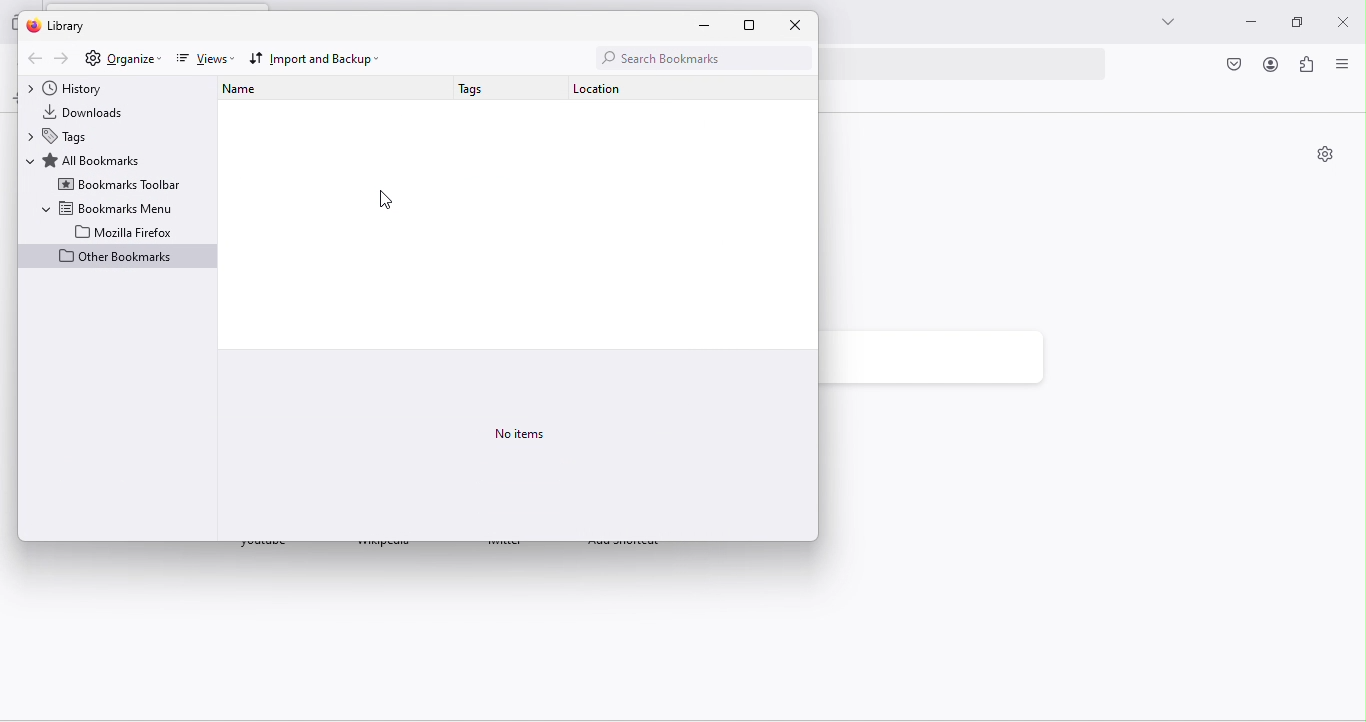 This screenshot has width=1366, height=722. Describe the element at coordinates (1309, 67) in the screenshot. I see `extension` at that location.